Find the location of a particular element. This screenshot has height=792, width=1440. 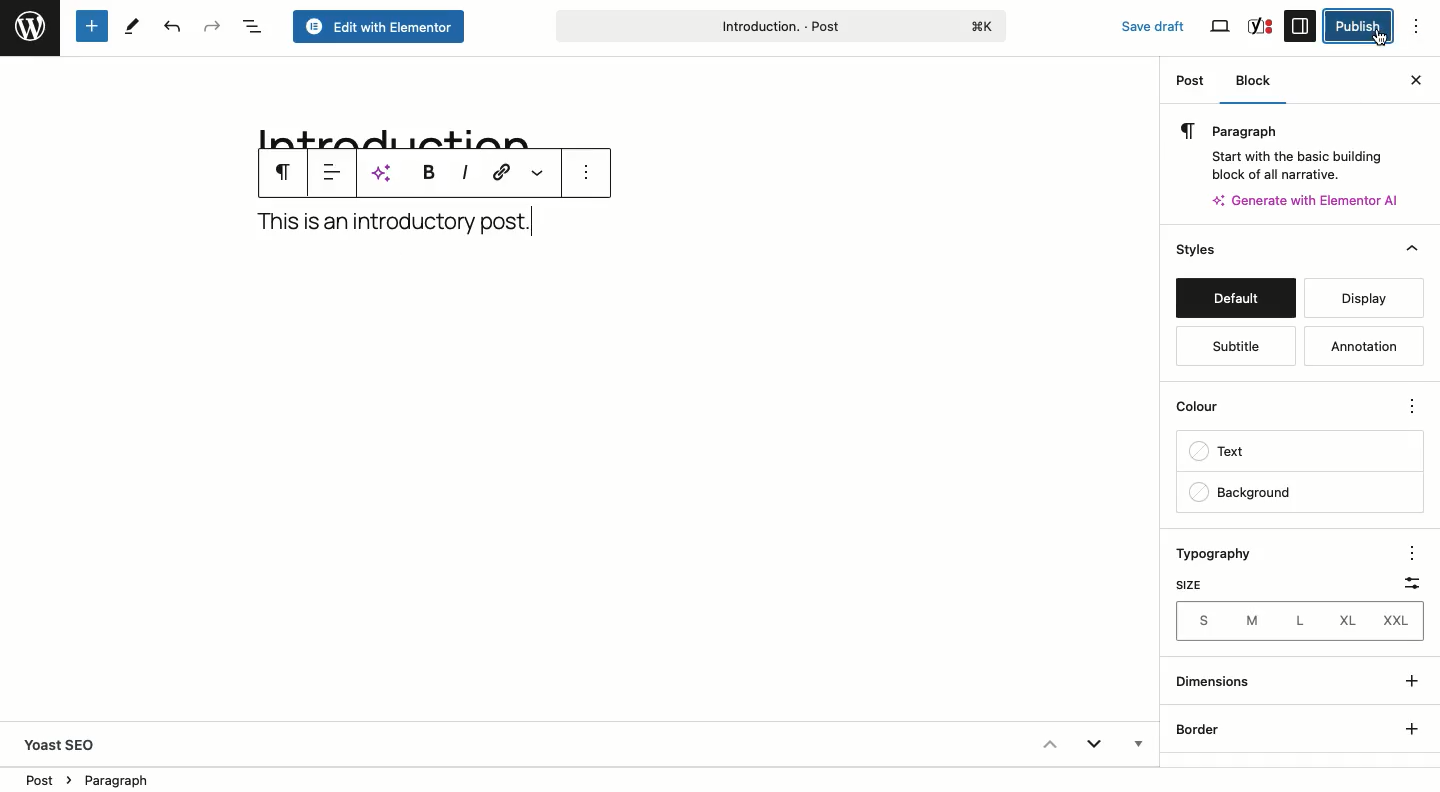

Color is located at coordinates (1208, 411).